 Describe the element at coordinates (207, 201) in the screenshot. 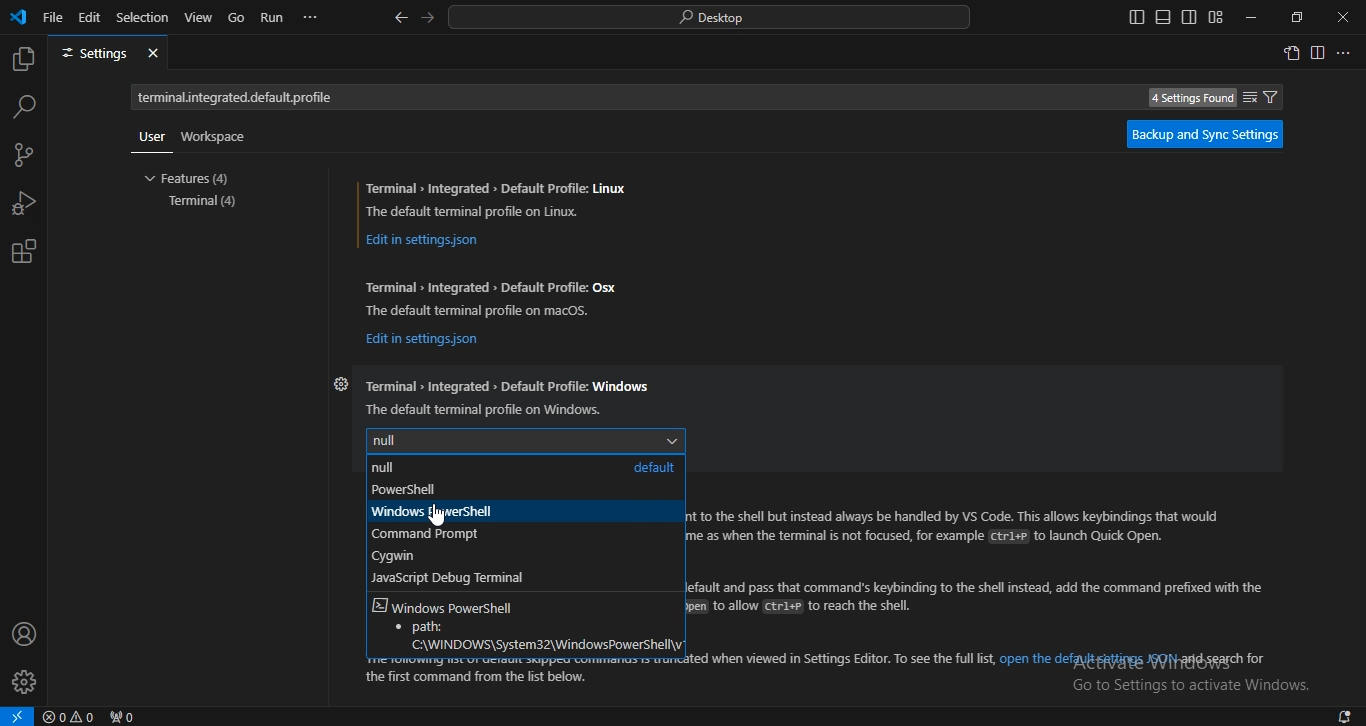

I see `terminal` at that location.